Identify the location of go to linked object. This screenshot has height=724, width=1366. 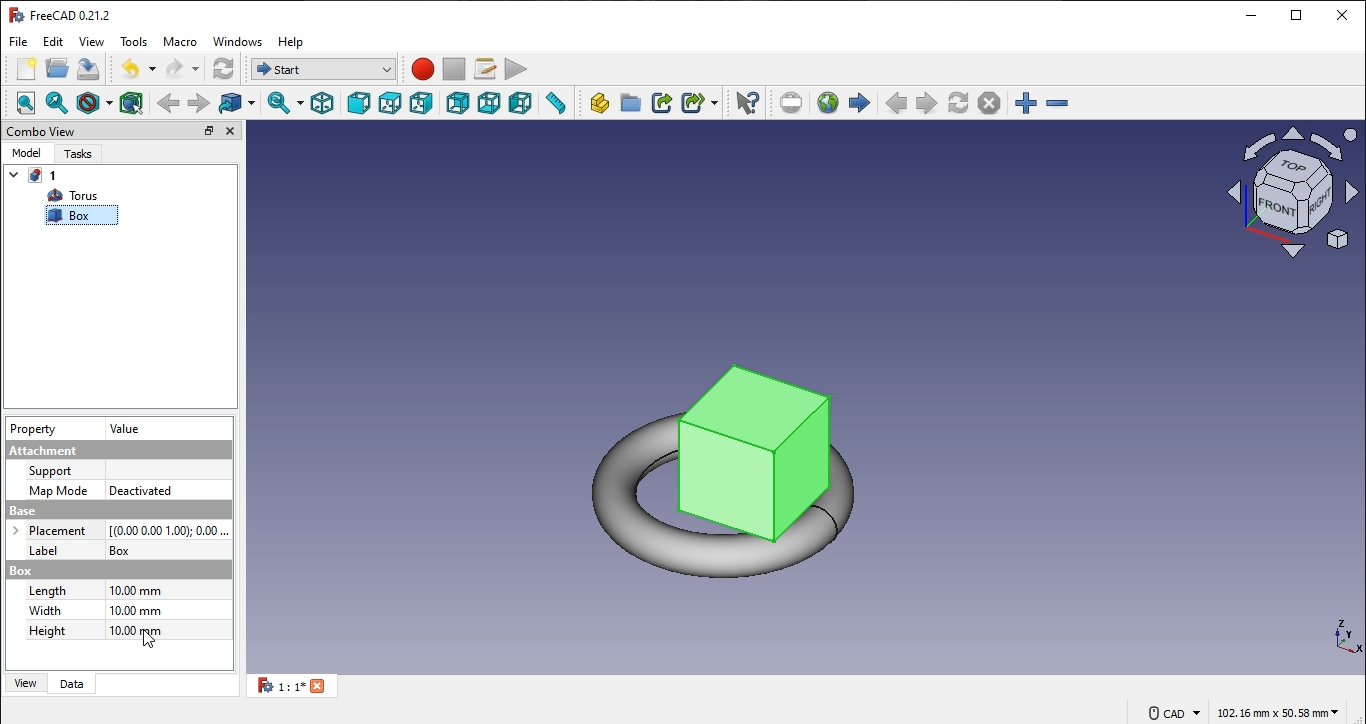
(238, 103).